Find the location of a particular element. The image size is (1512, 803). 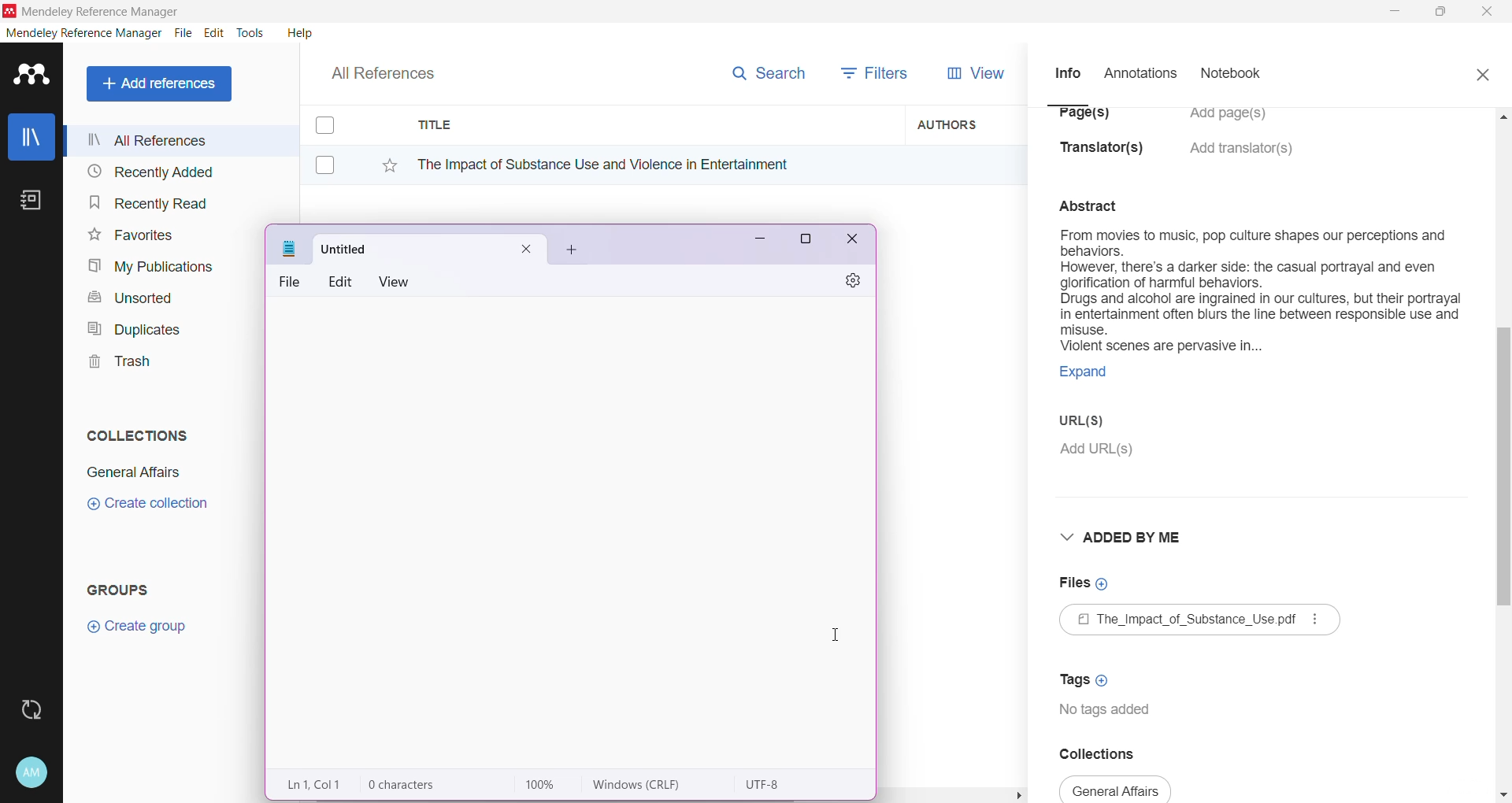

Info is located at coordinates (1067, 72).